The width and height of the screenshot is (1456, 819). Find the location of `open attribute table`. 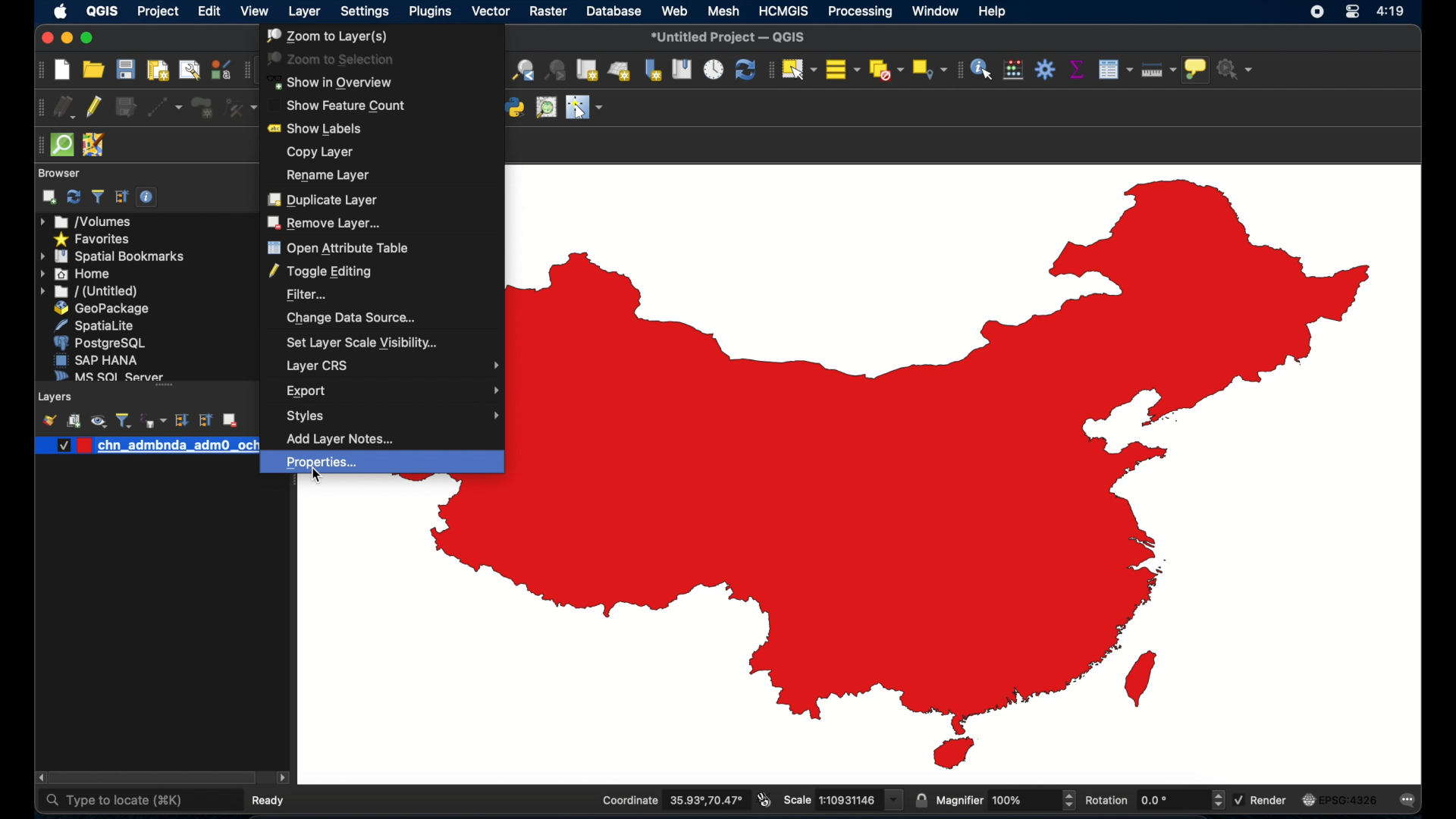

open attribute table is located at coordinates (337, 249).